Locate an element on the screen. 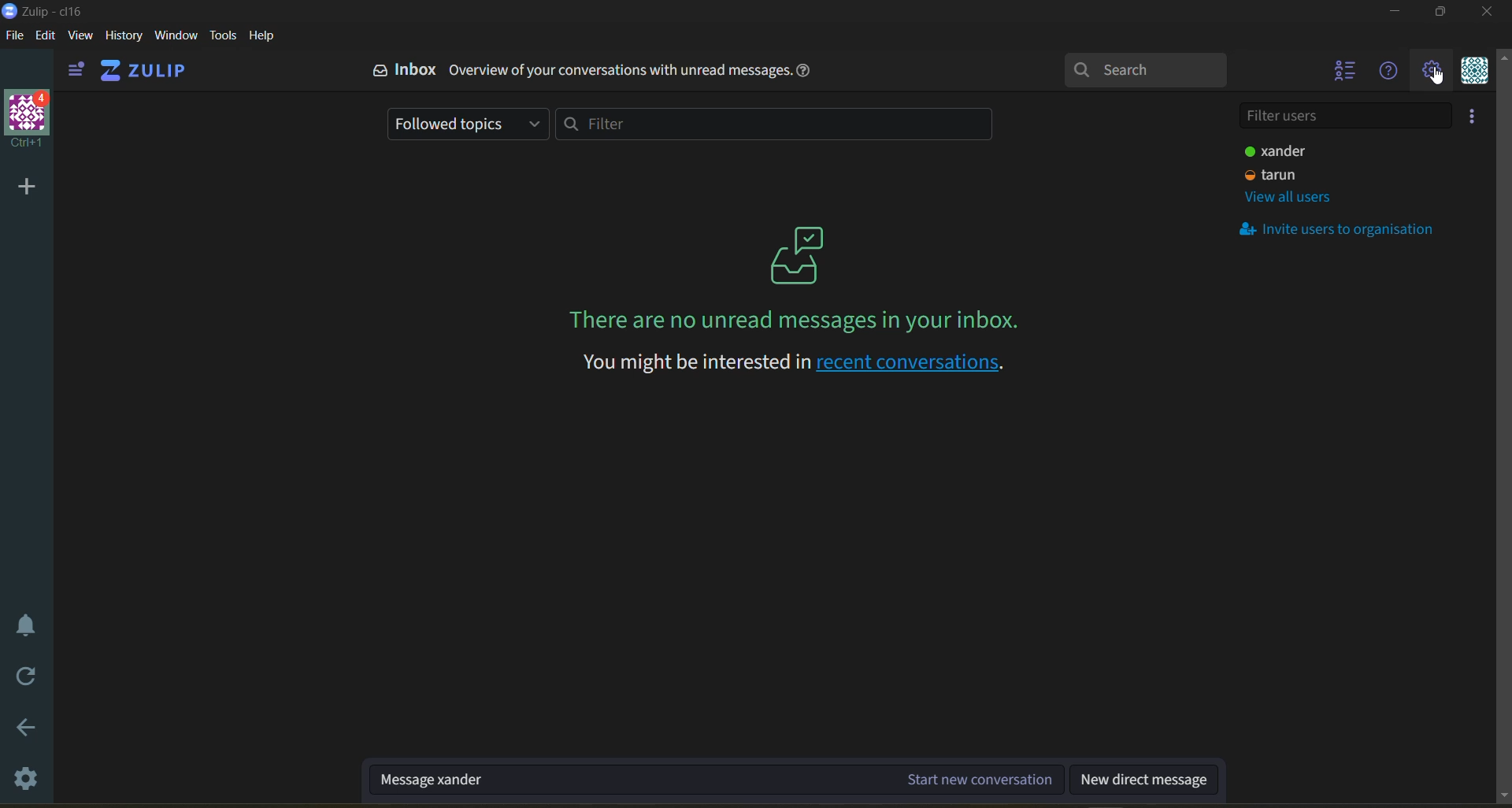 This screenshot has height=808, width=1512. Maximize is located at coordinates (1444, 15).